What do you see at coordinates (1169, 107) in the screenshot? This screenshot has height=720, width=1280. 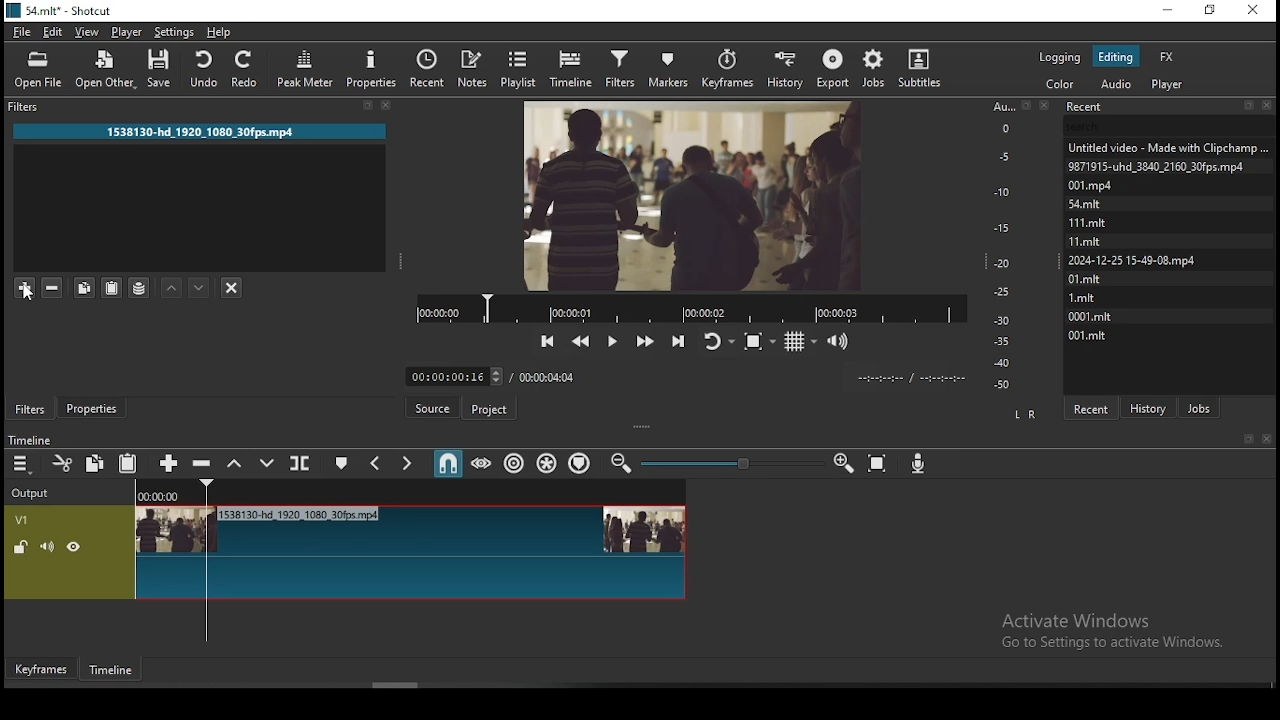 I see `Recent` at bounding box center [1169, 107].